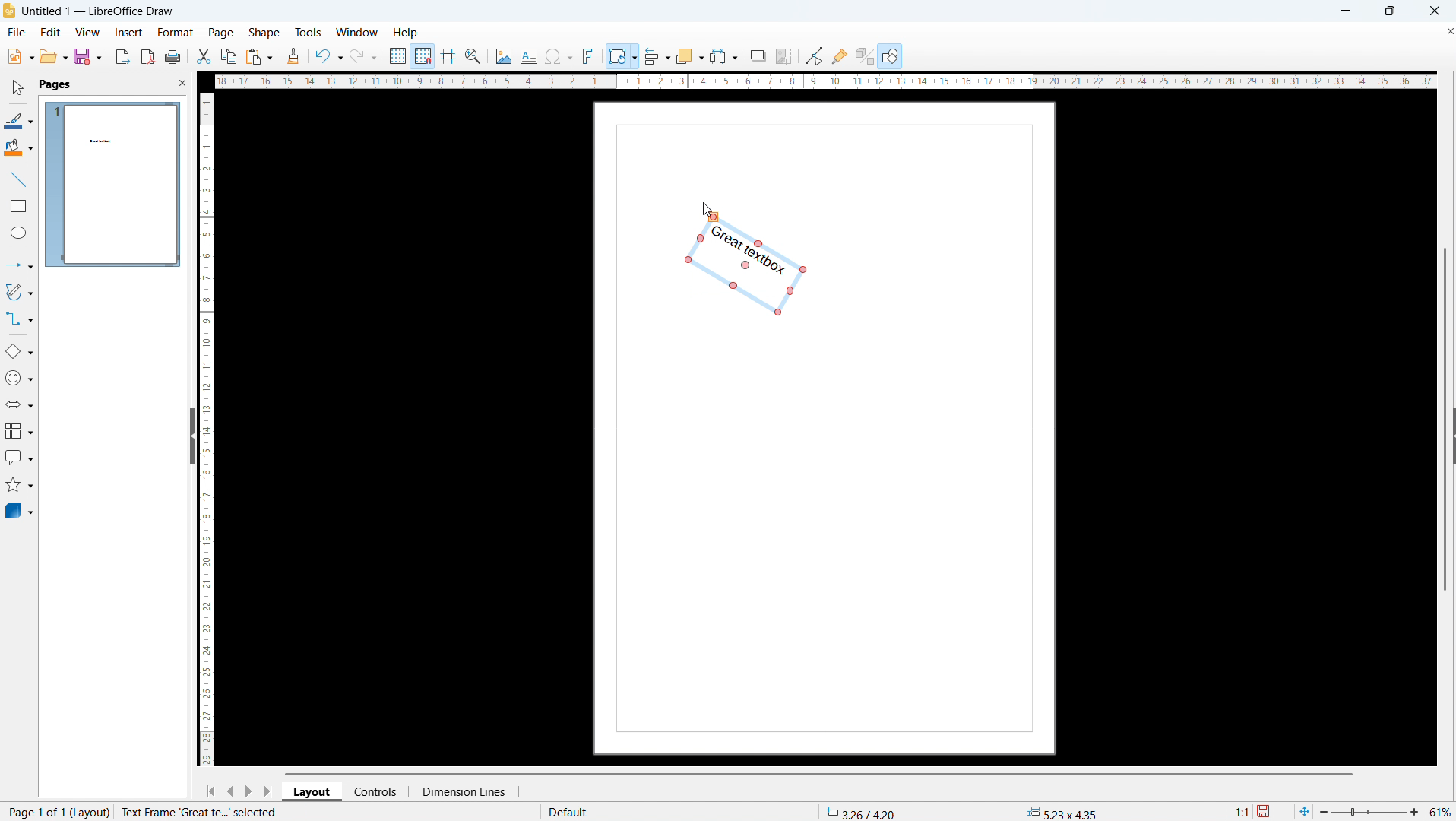 The image size is (1456, 821). What do you see at coordinates (864, 56) in the screenshot?
I see `toggle extrusion` at bounding box center [864, 56].